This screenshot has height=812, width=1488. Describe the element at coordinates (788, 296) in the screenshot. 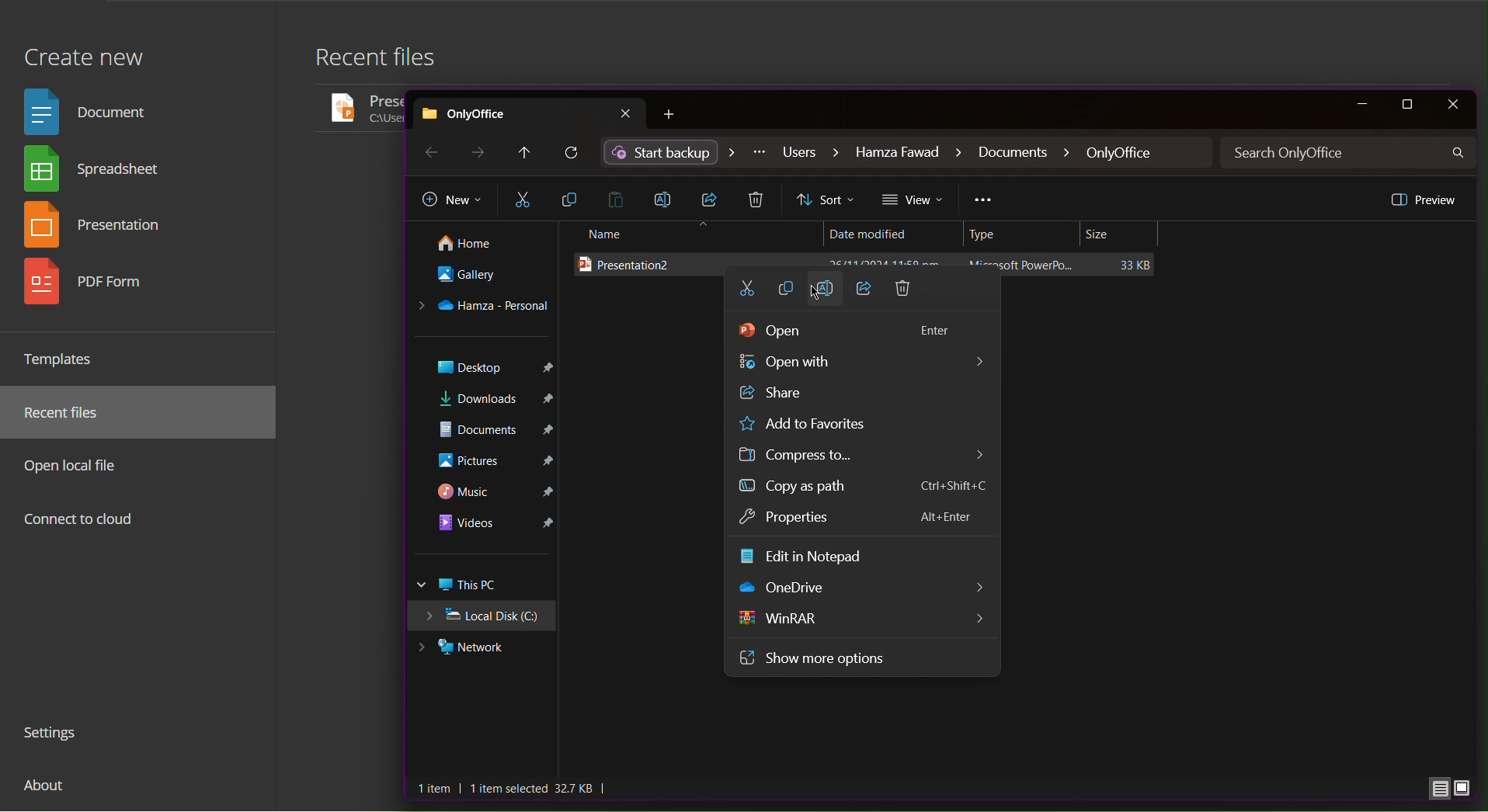

I see `Copy` at that location.